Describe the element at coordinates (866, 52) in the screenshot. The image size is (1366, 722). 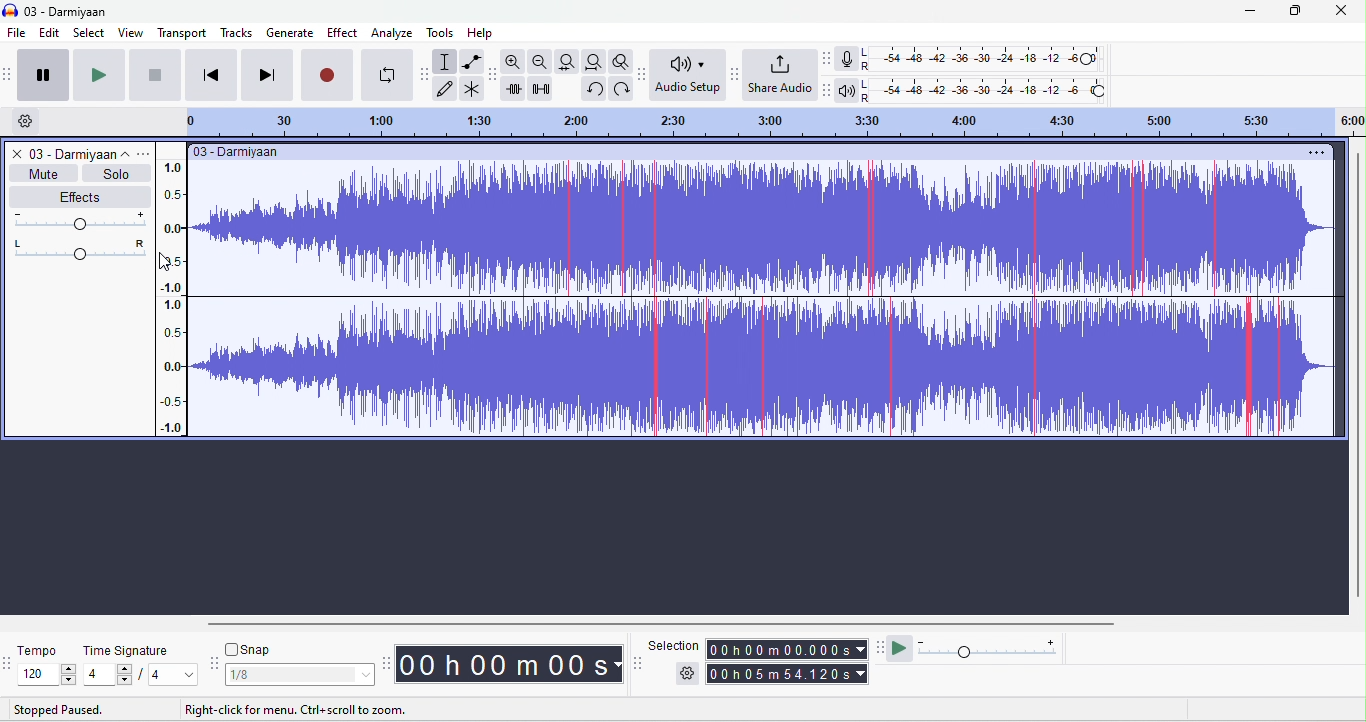
I see `L` at that location.